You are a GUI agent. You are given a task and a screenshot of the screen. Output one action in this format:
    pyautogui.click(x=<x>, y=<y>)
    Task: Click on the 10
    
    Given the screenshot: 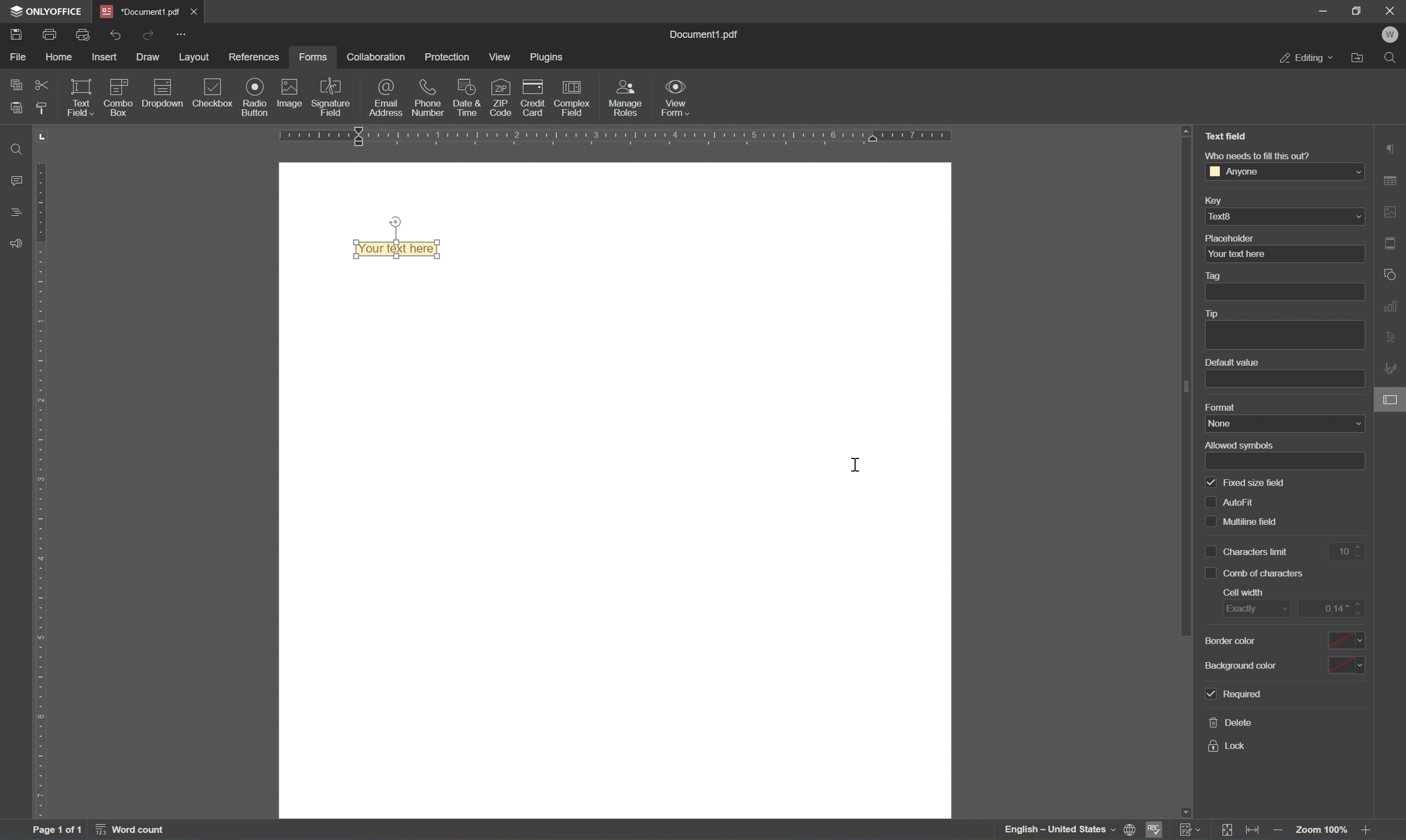 What is the action you would take?
    pyautogui.click(x=1347, y=551)
    